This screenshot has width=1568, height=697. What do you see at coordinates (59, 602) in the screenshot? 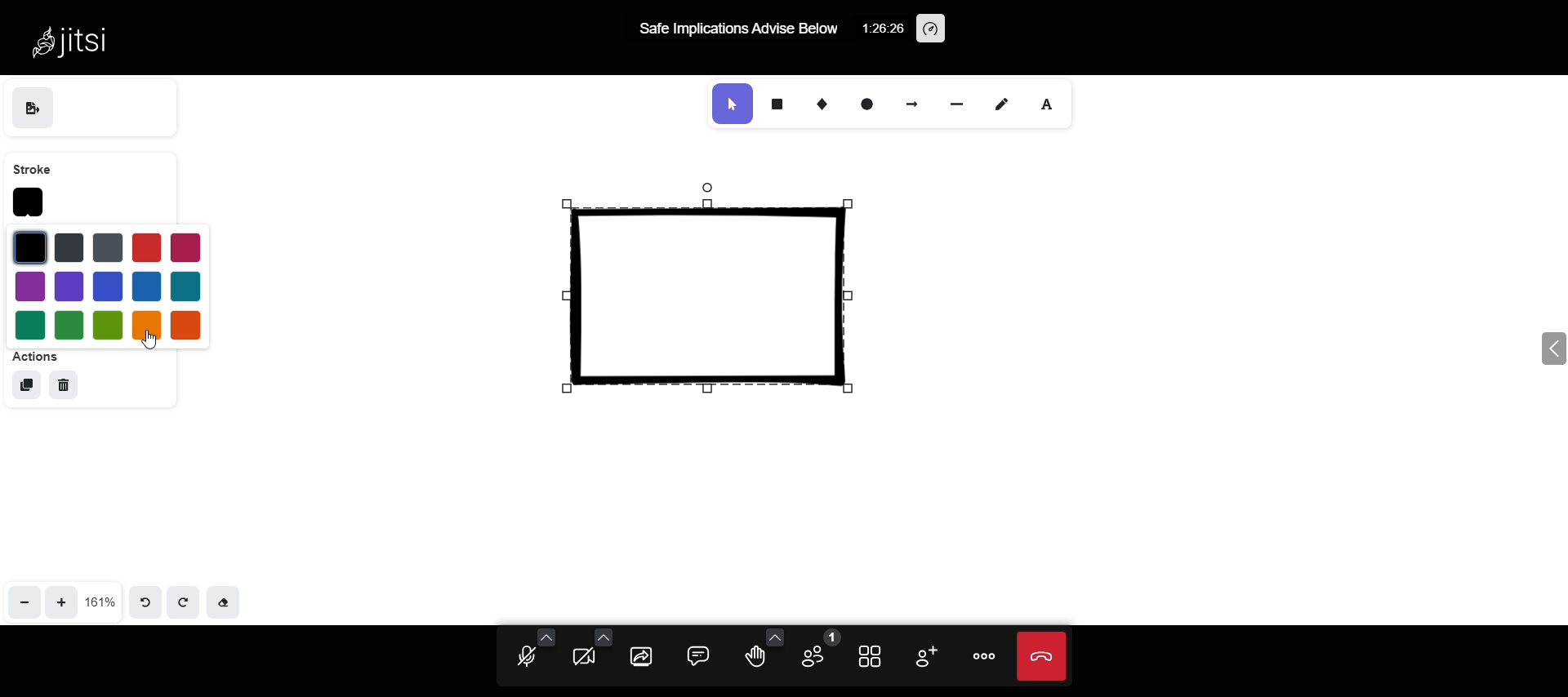
I see `zoom in` at bounding box center [59, 602].